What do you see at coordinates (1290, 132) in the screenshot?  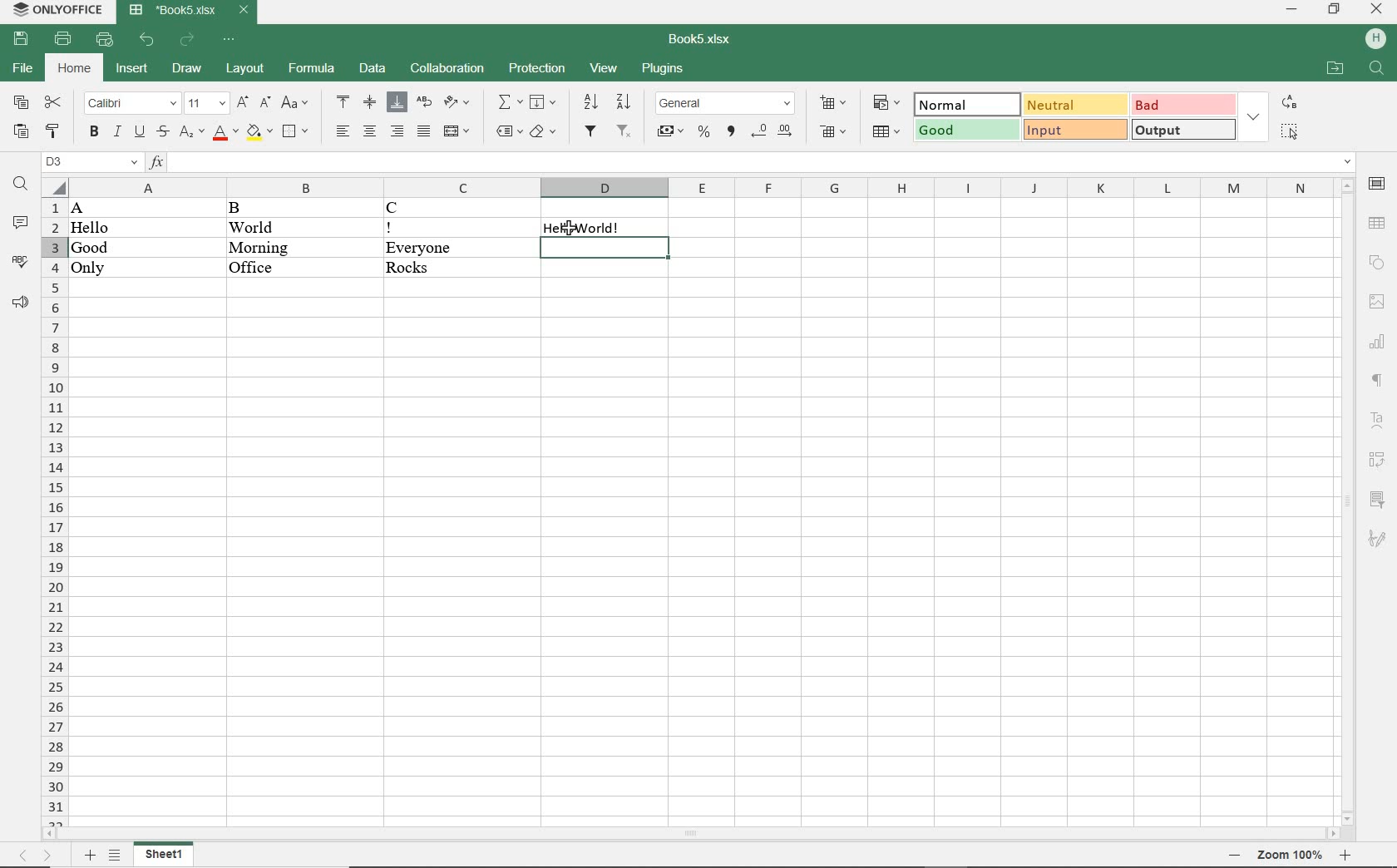 I see `SELECT ALL` at bounding box center [1290, 132].